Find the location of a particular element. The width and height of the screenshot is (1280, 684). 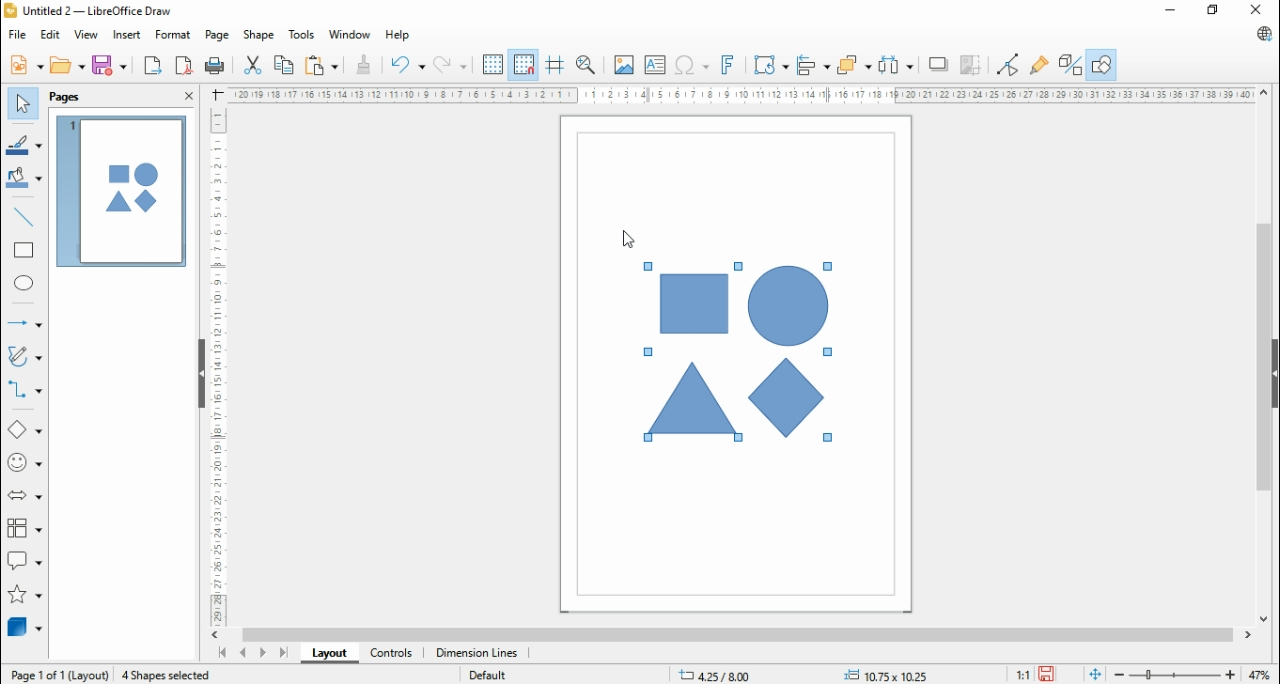

show grid is located at coordinates (493, 64).